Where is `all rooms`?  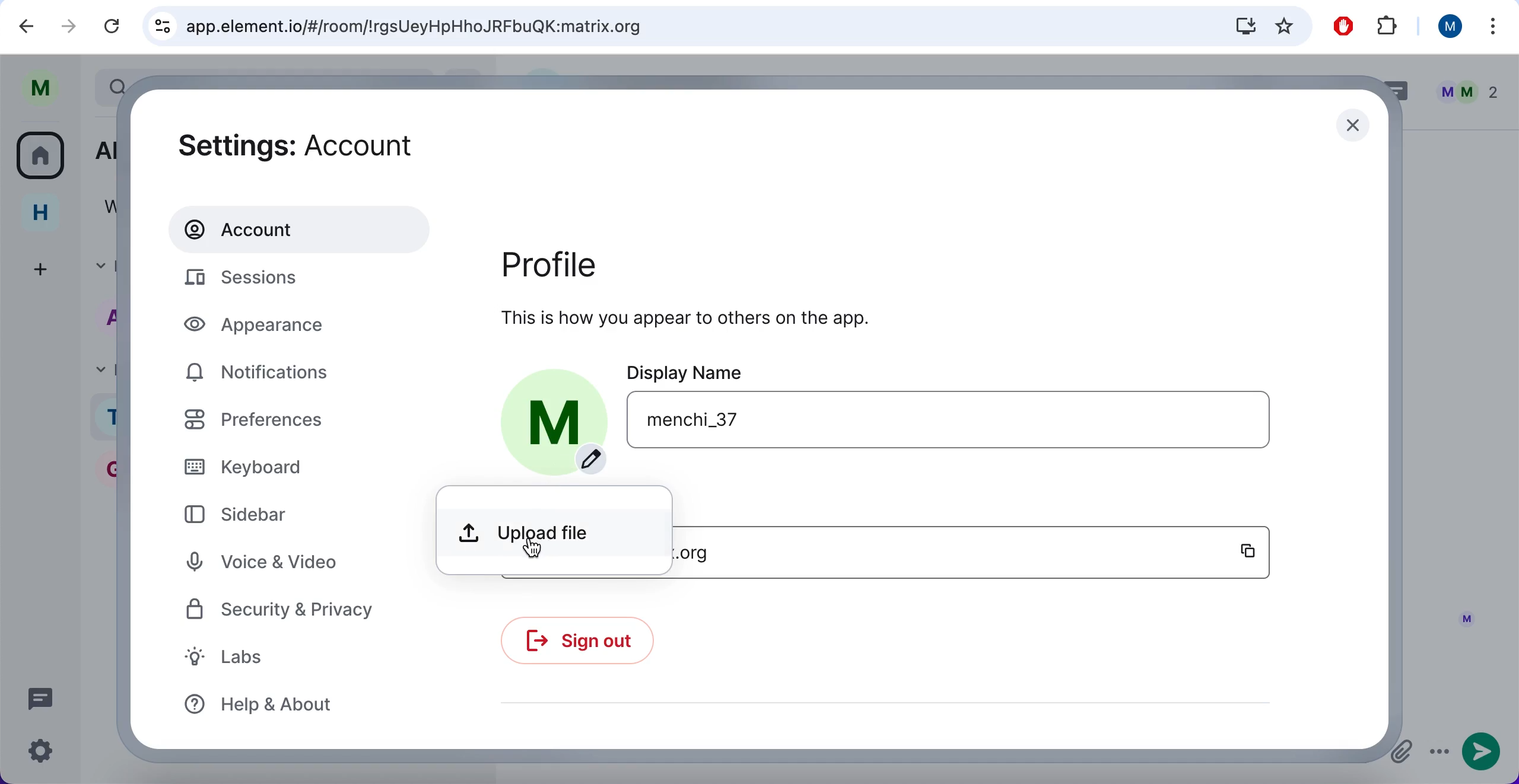 all rooms is located at coordinates (39, 160).